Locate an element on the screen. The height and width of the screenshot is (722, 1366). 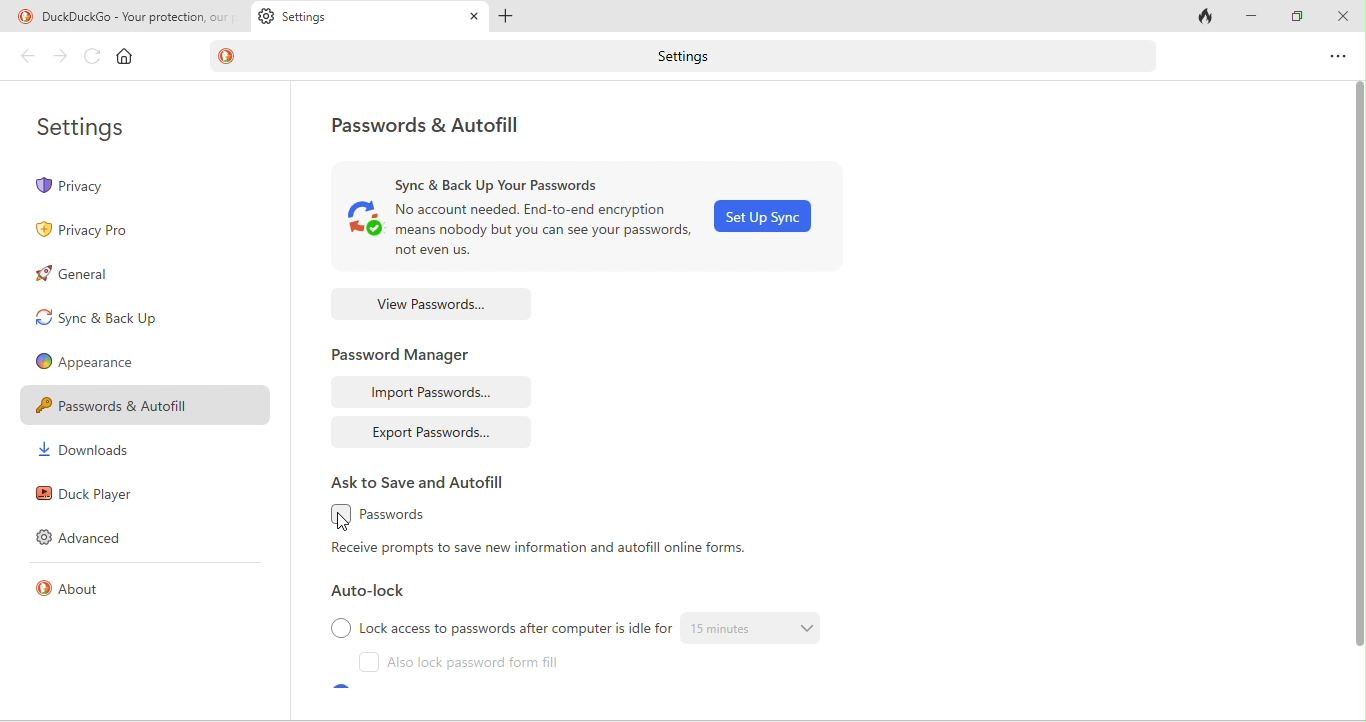
duckduckgo logo is located at coordinates (20, 17).